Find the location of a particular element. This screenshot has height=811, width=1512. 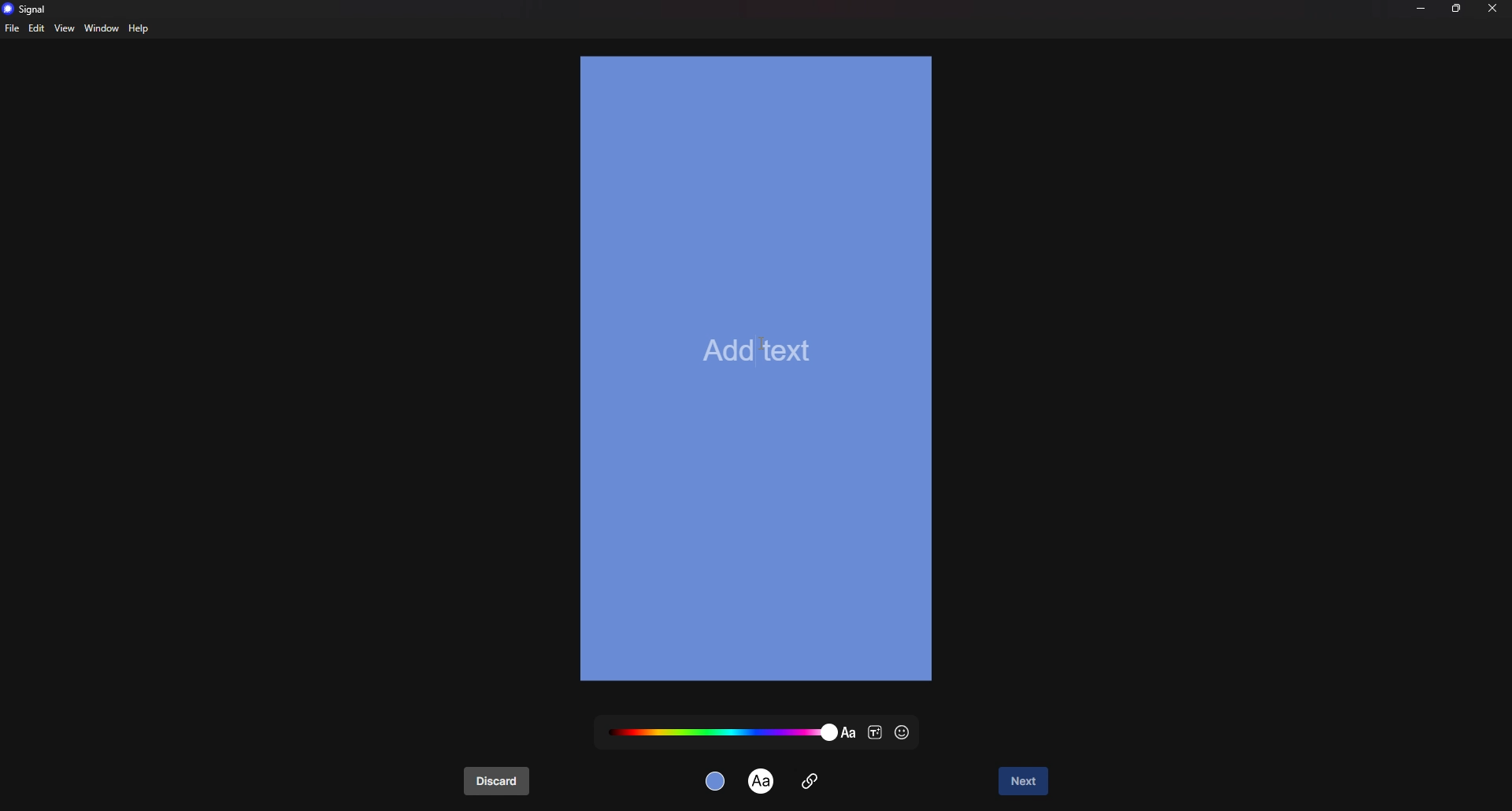

minimize is located at coordinates (1421, 8).